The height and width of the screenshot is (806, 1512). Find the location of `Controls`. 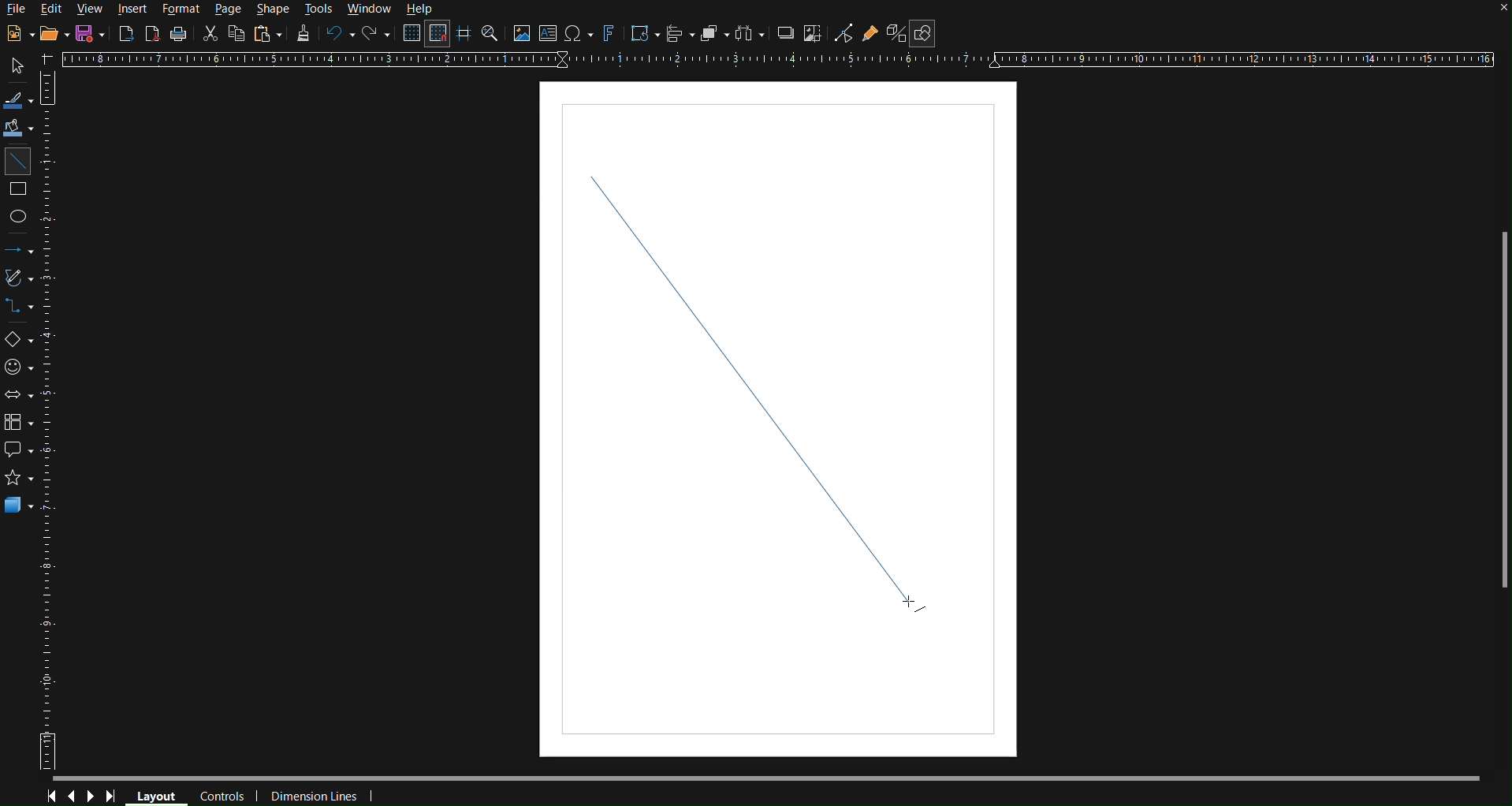

Controls is located at coordinates (221, 797).